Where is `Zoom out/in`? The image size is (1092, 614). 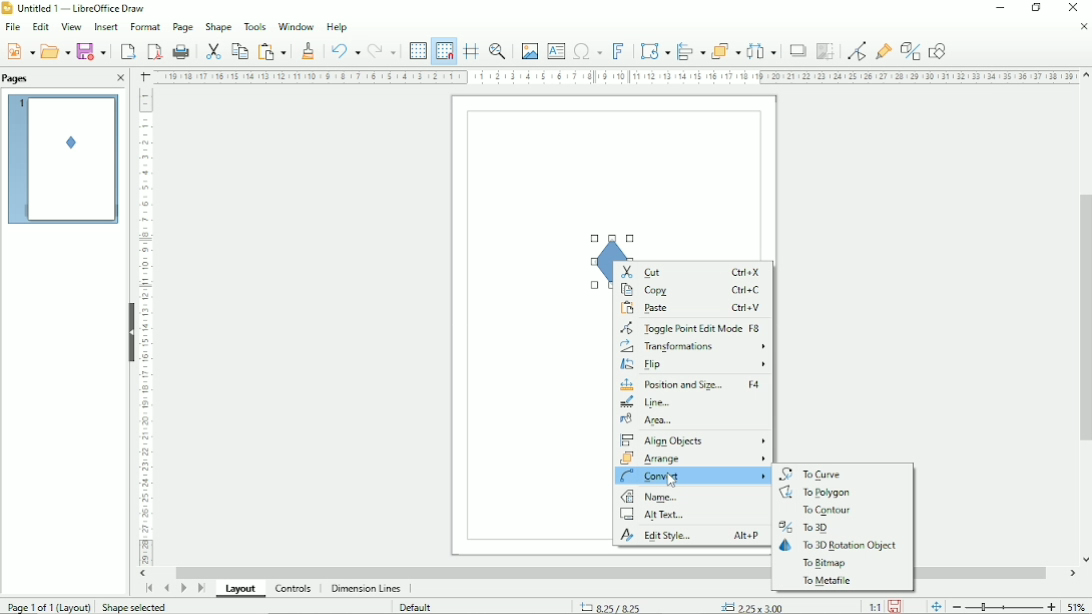 Zoom out/in is located at coordinates (1003, 605).